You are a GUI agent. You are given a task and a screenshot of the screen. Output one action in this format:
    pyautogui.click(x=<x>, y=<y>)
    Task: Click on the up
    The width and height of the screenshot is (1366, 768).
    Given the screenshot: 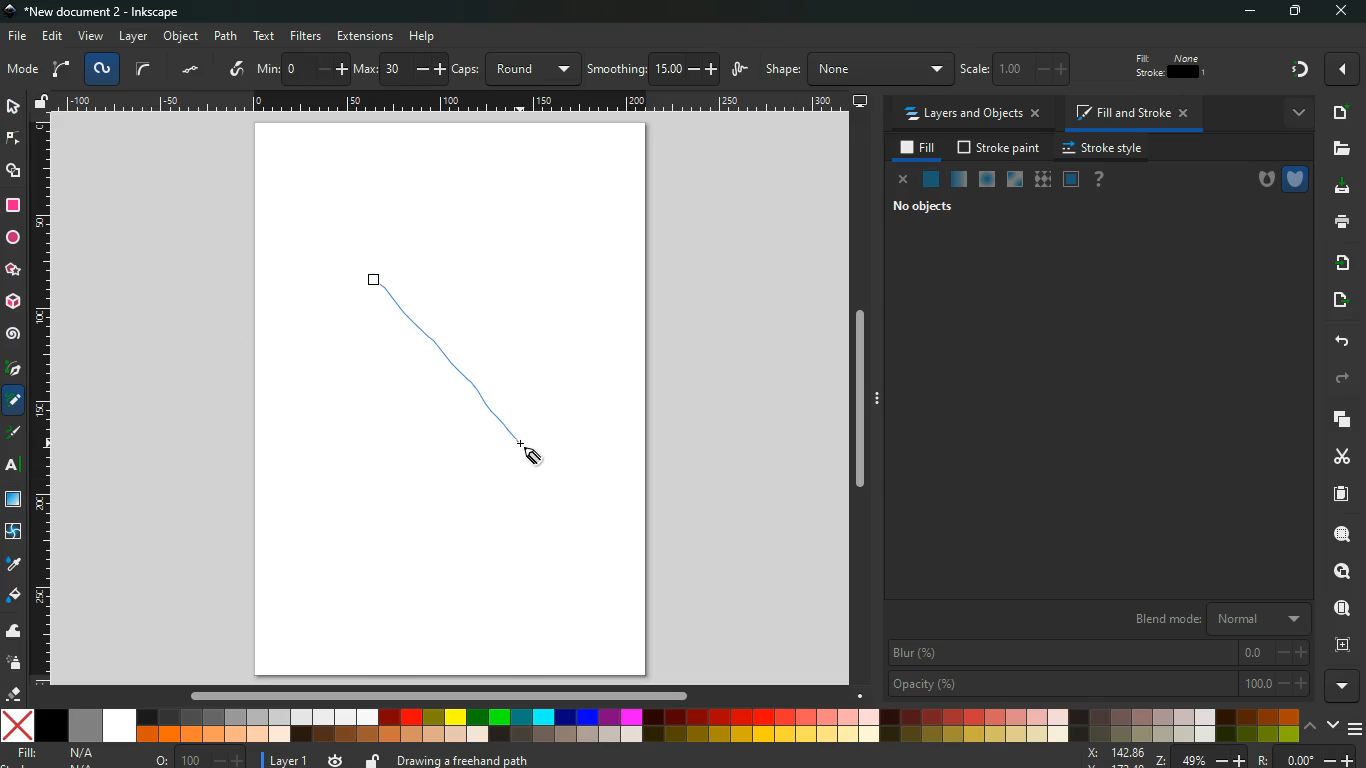 What is the action you would take?
    pyautogui.click(x=1310, y=727)
    